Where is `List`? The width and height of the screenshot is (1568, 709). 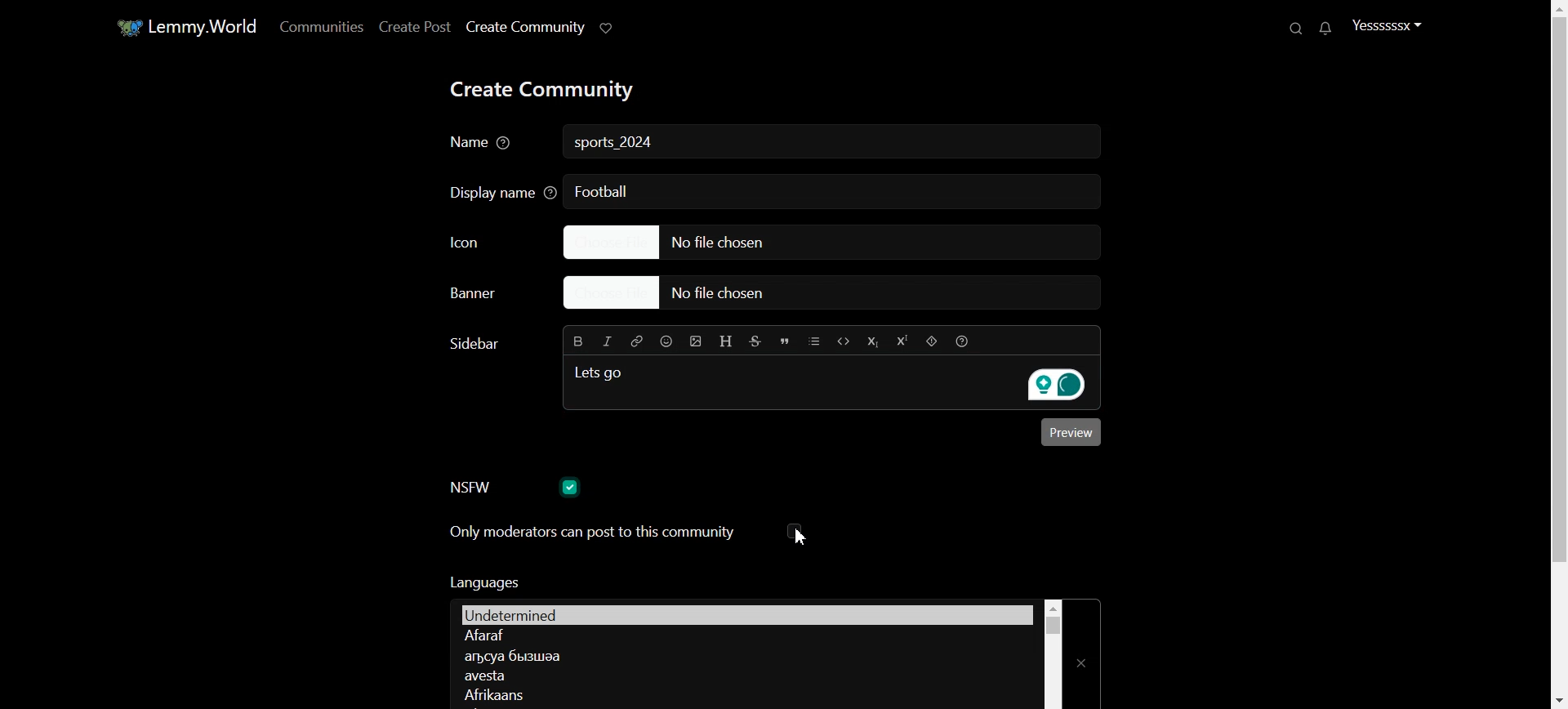 List is located at coordinates (814, 341).